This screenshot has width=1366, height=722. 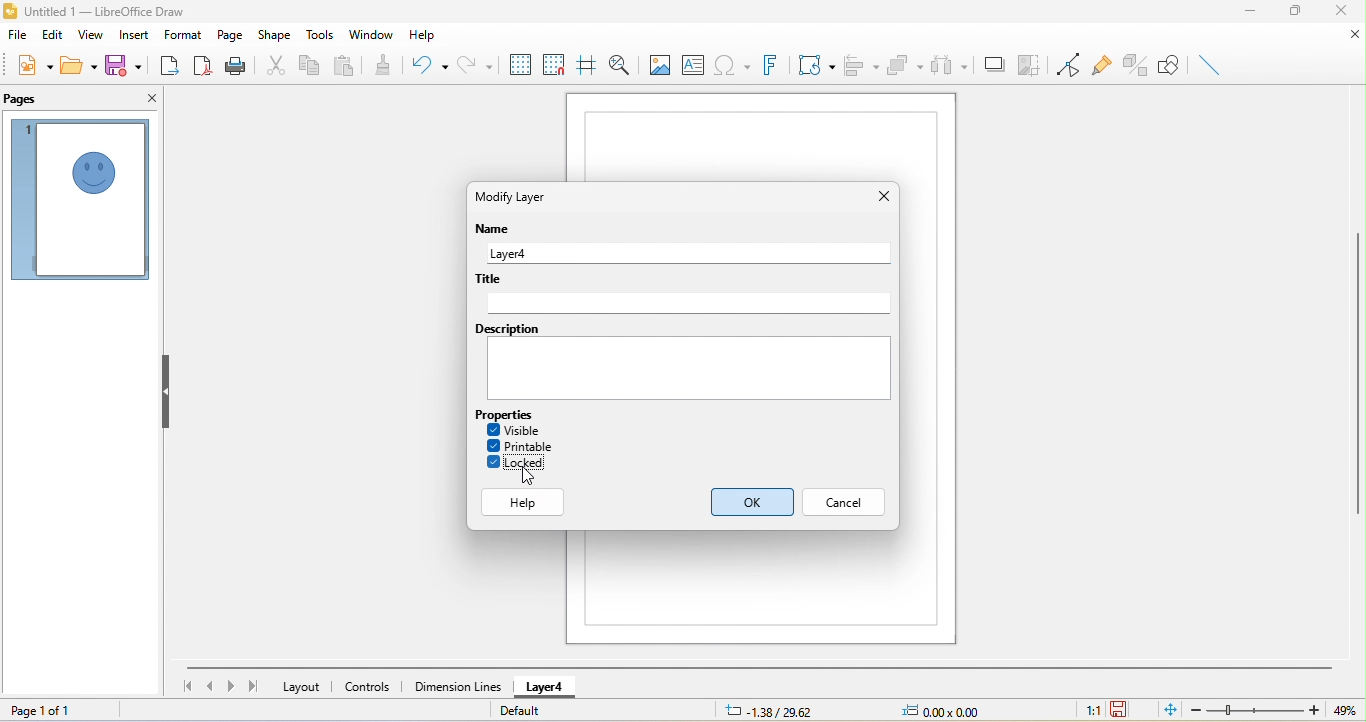 I want to click on redo, so click(x=479, y=63).